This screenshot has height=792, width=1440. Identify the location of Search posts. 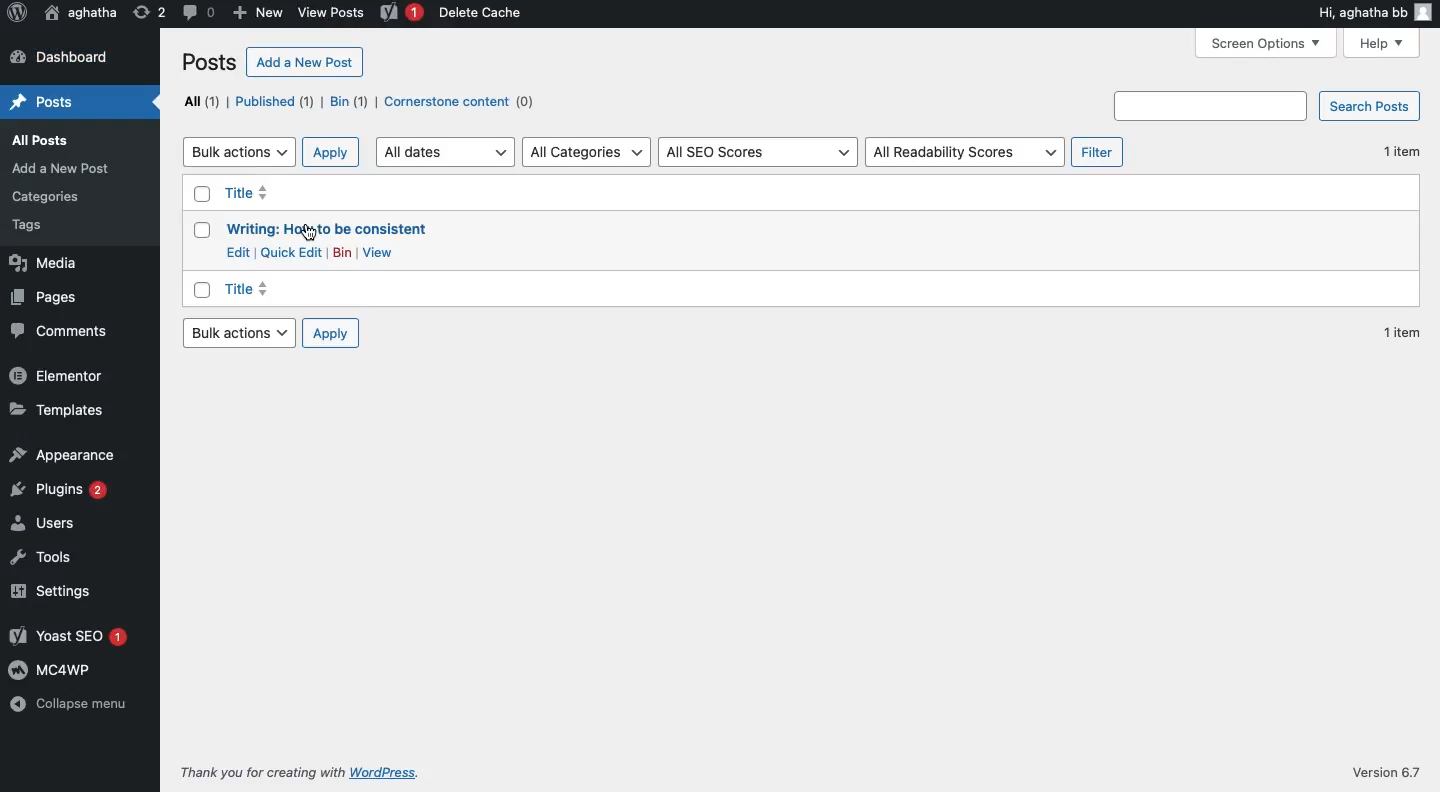
(1262, 105).